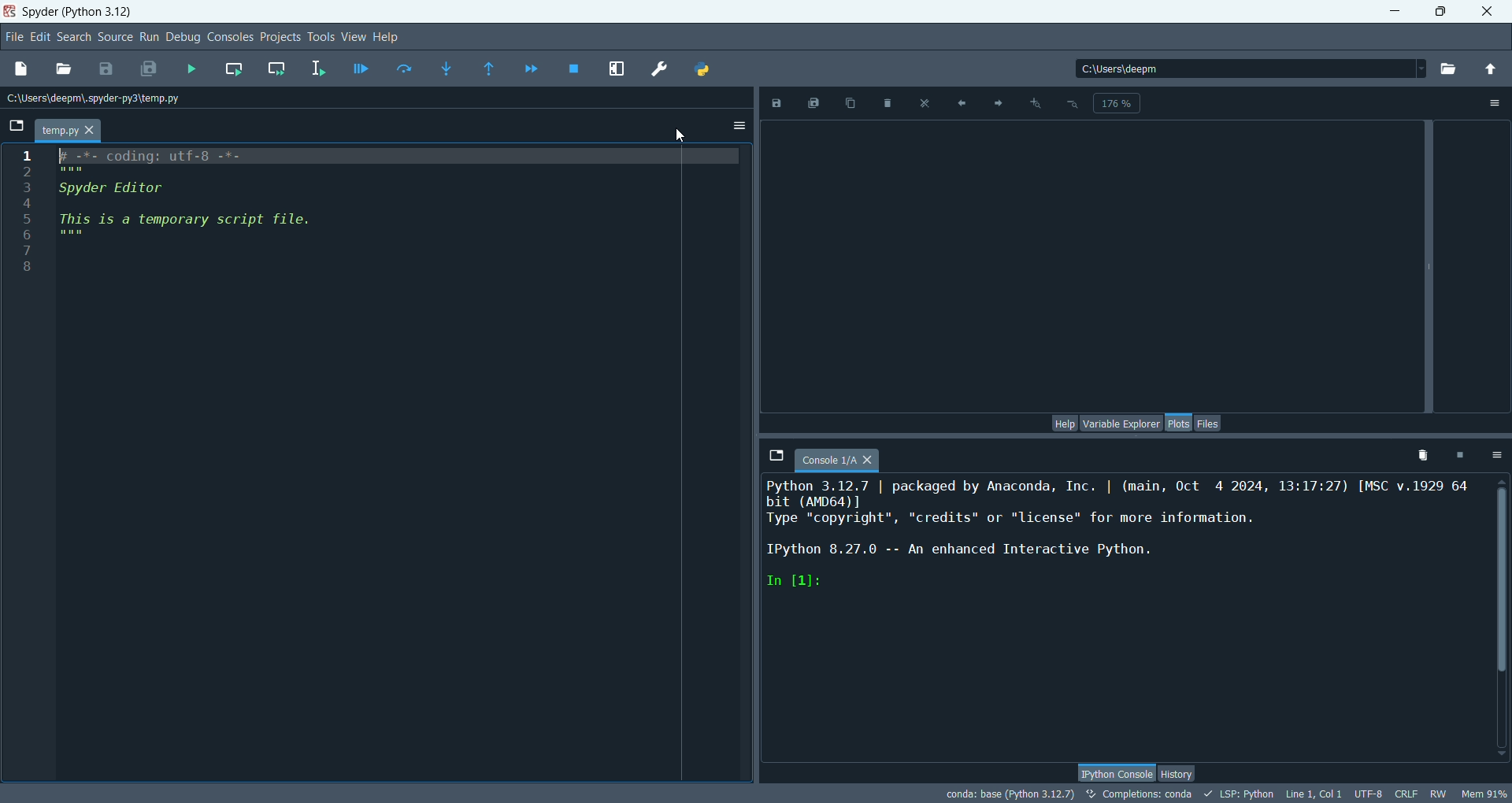 The height and width of the screenshot is (803, 1512). I want to click on options, so click(739, 127).